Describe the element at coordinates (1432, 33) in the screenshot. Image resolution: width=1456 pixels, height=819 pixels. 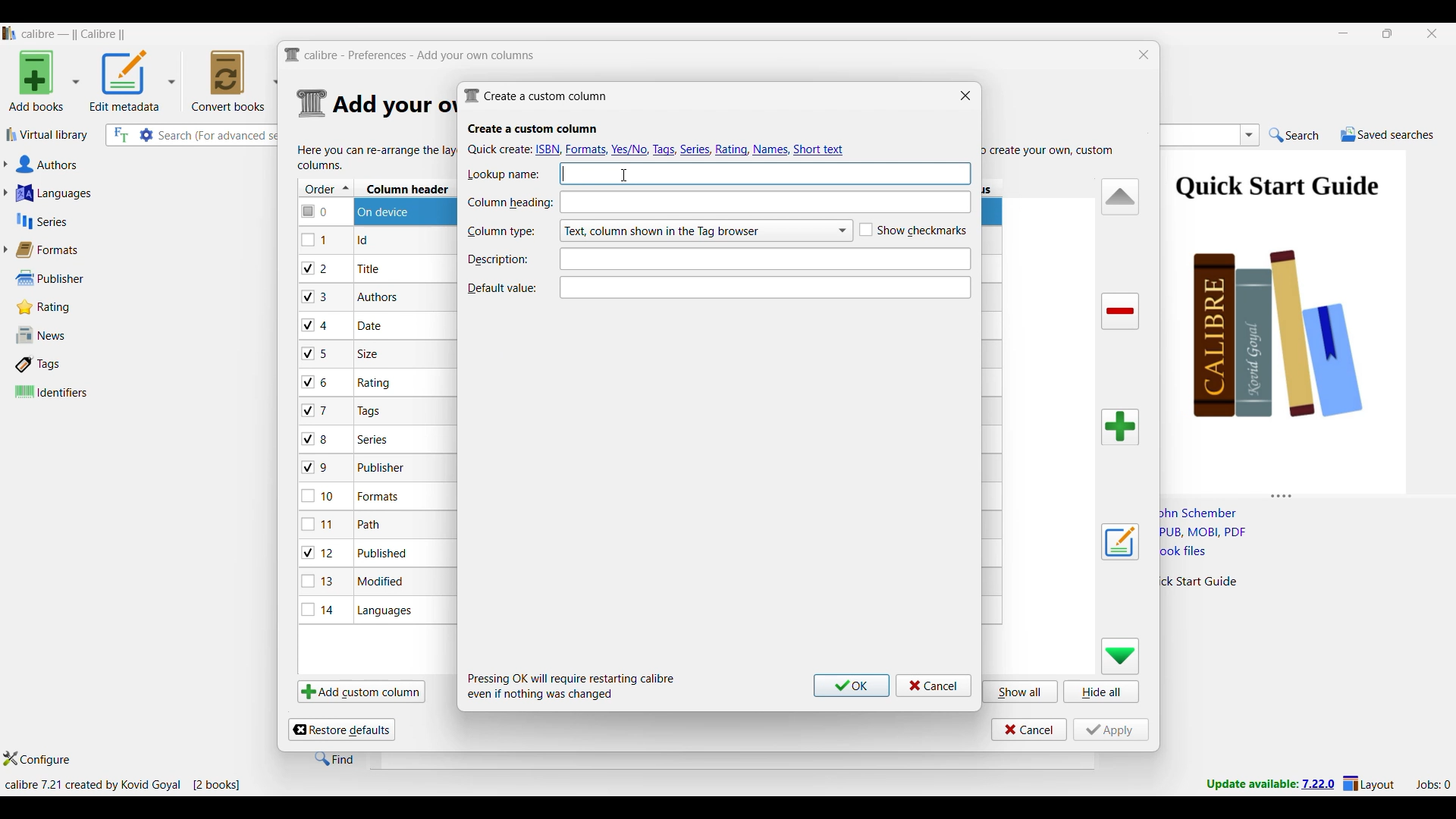
I see `Close interface` at that location.